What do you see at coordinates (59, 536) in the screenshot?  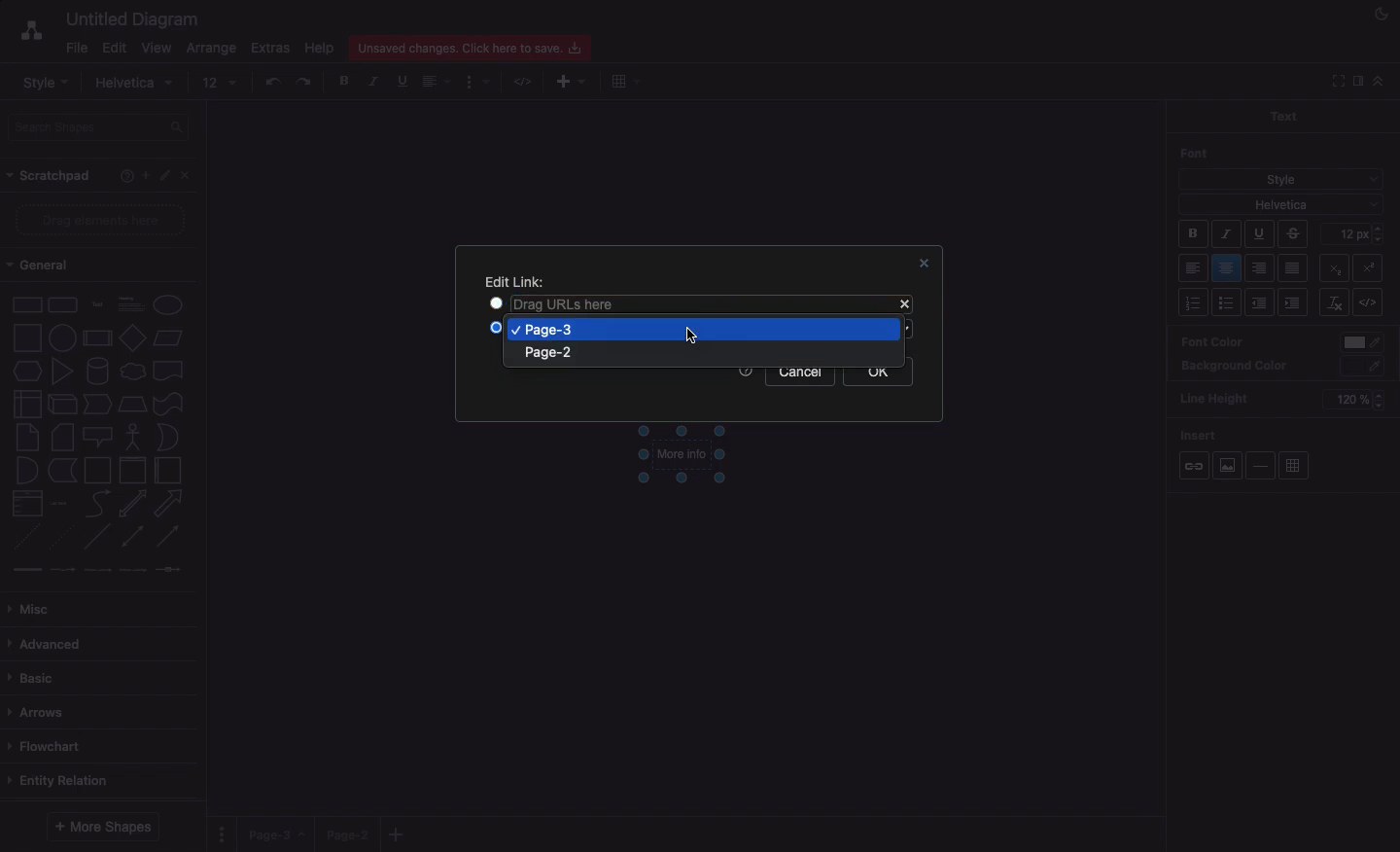 I see `dotted line` at bounding box center [59, 536].